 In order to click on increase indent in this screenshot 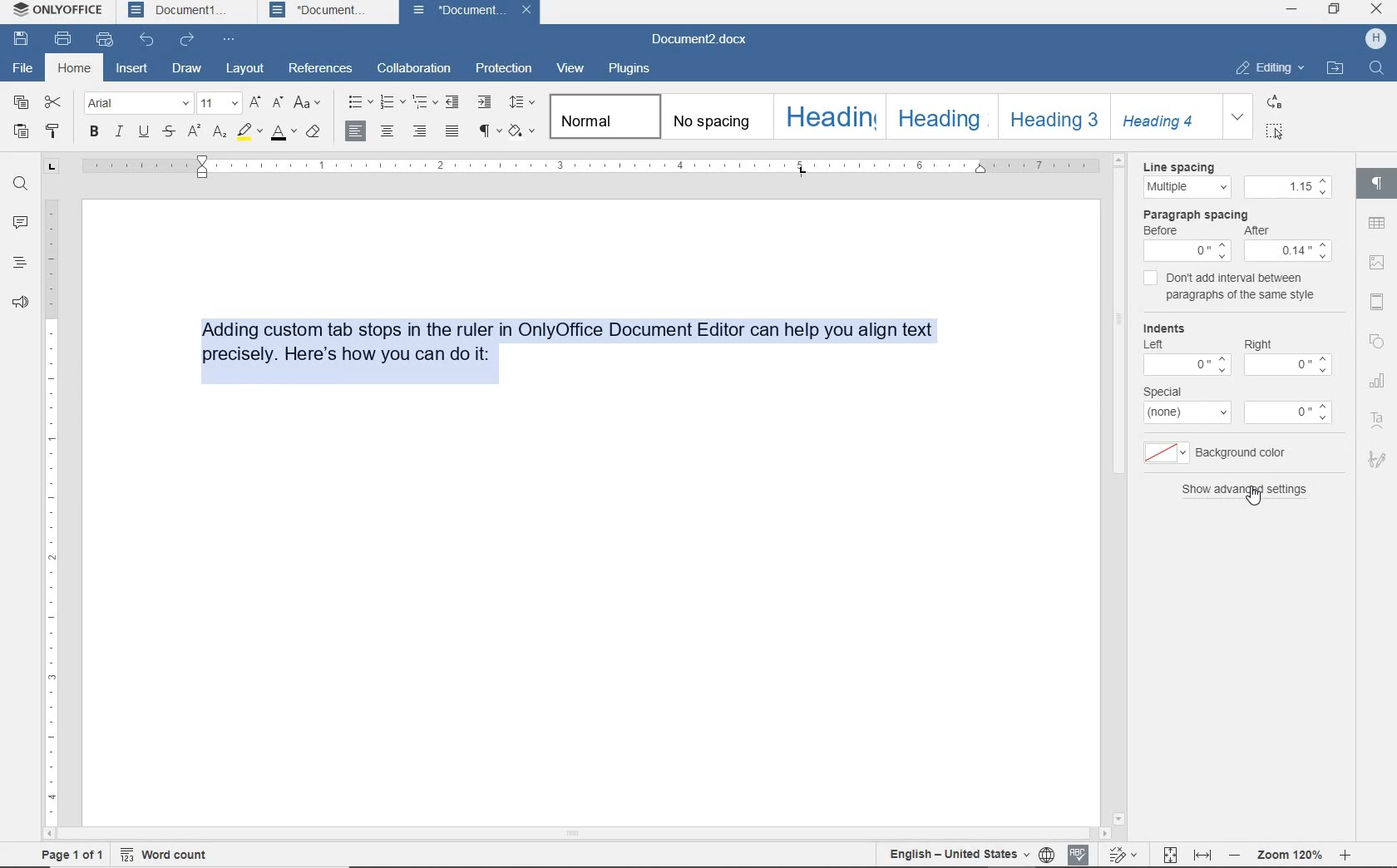, I will do `click(486, 103)`.